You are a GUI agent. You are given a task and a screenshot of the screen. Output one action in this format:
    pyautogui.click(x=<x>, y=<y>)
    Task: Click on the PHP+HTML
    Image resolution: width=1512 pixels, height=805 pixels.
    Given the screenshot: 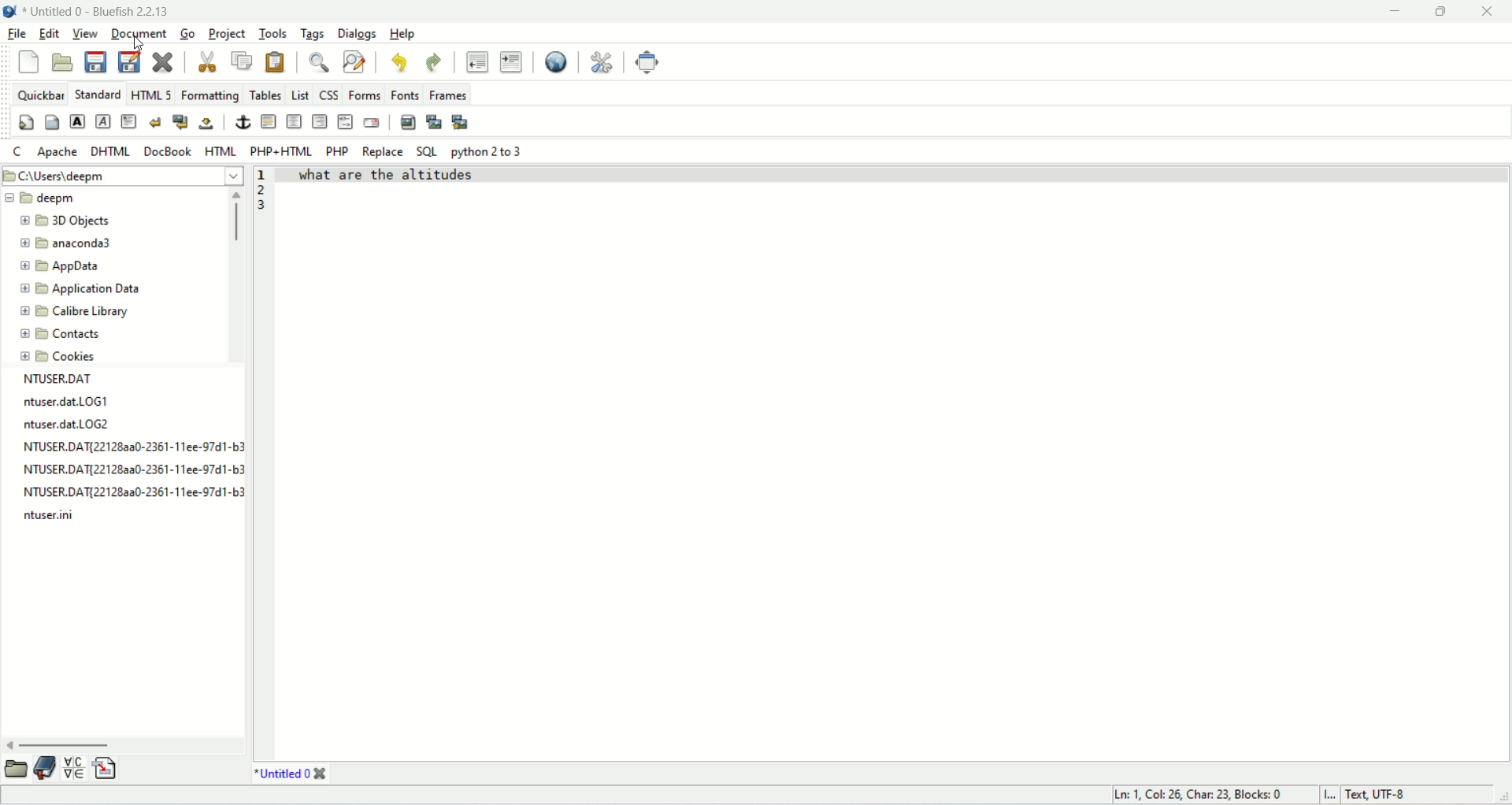 What is the action you would take?
    pyautogui.click(x=281, y=149)
    